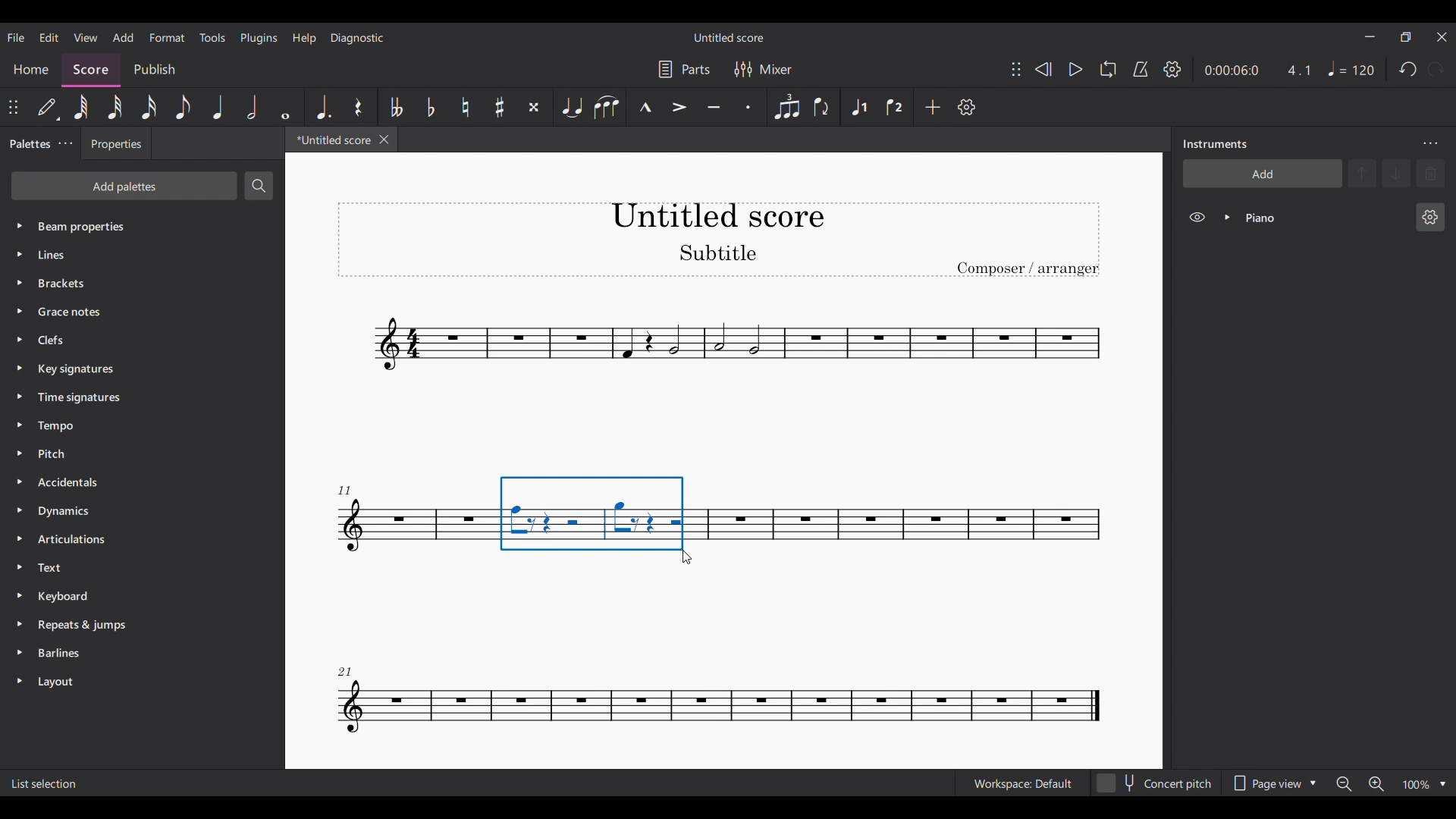 This screenshot has height=819, width=1456. I want to click on Manage parts, so click(684, 69).